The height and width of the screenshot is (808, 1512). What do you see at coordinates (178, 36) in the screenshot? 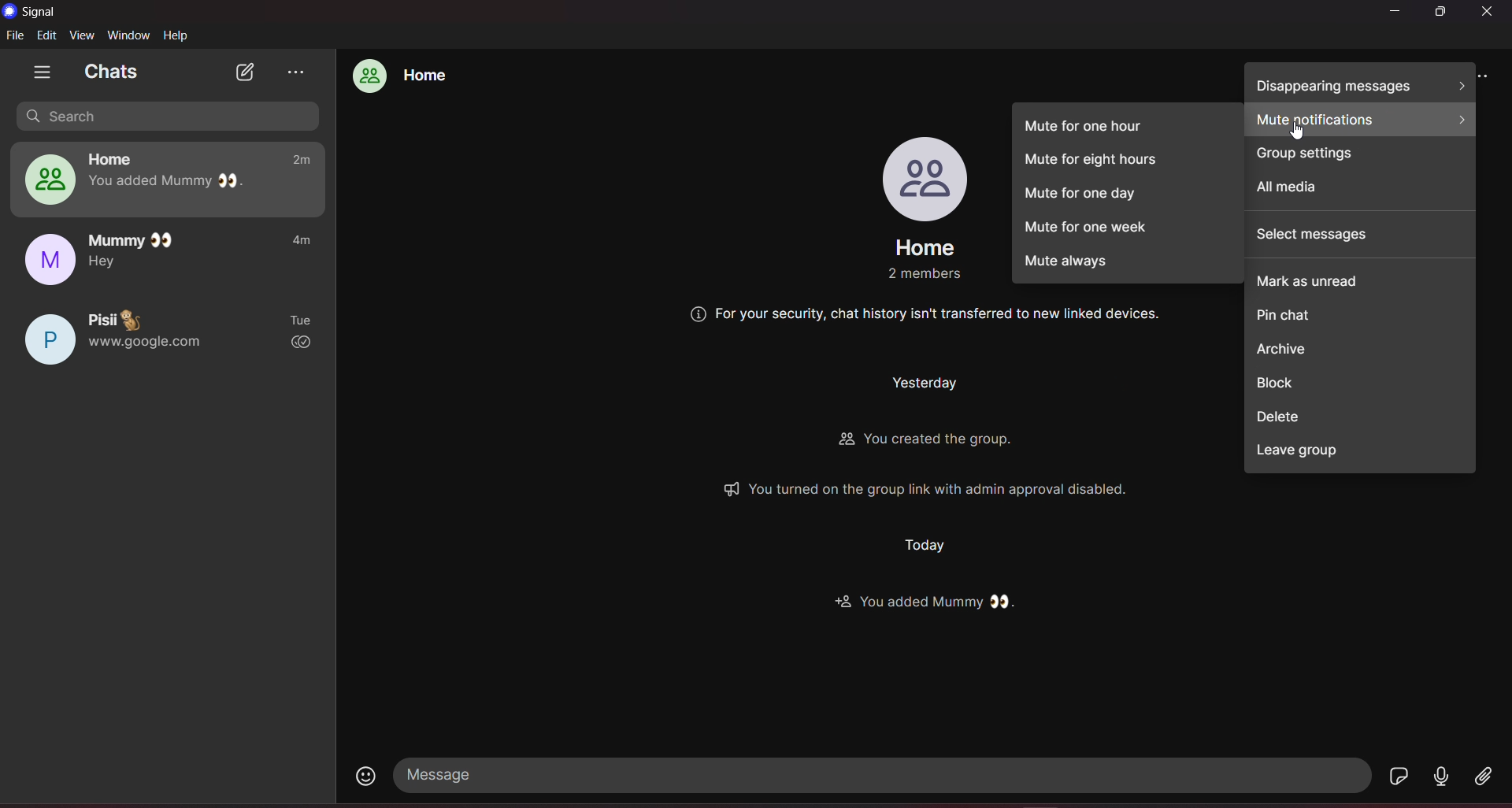
I see `help` at bounding box center [178, 36].